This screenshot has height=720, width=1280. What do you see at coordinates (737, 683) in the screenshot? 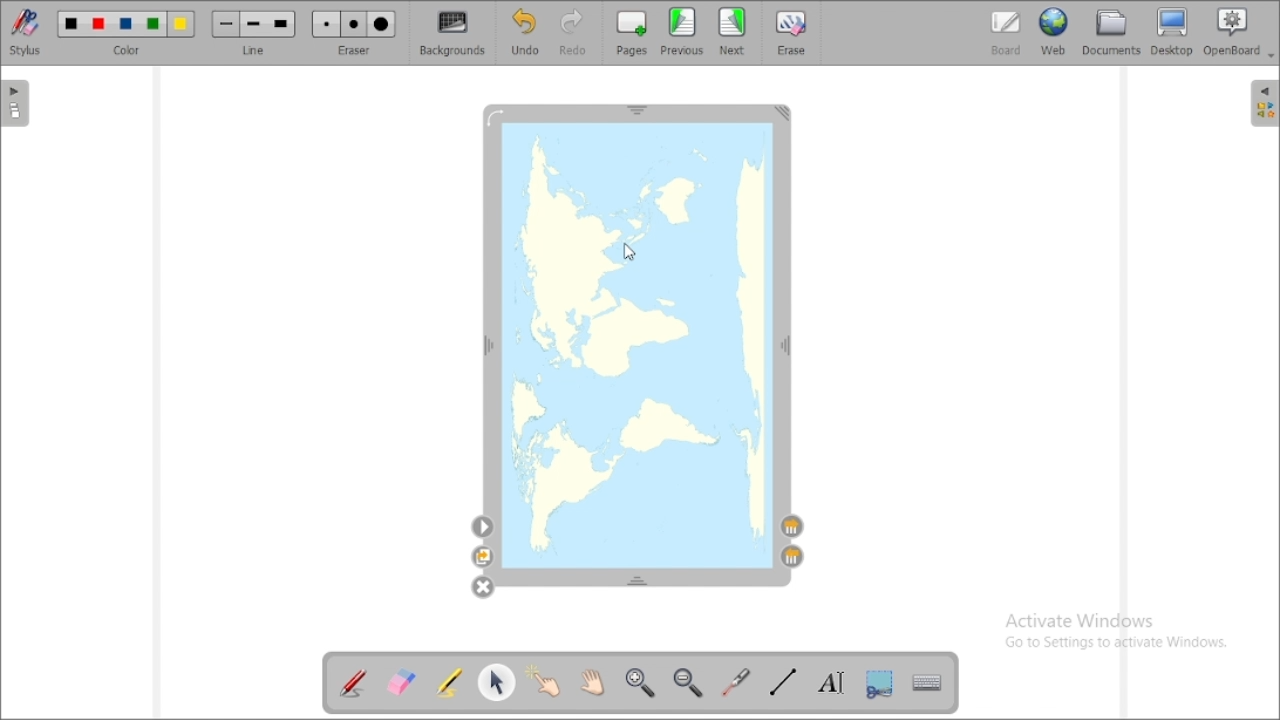
I see `virtual laser pointer` at bounding box center [737, 683].